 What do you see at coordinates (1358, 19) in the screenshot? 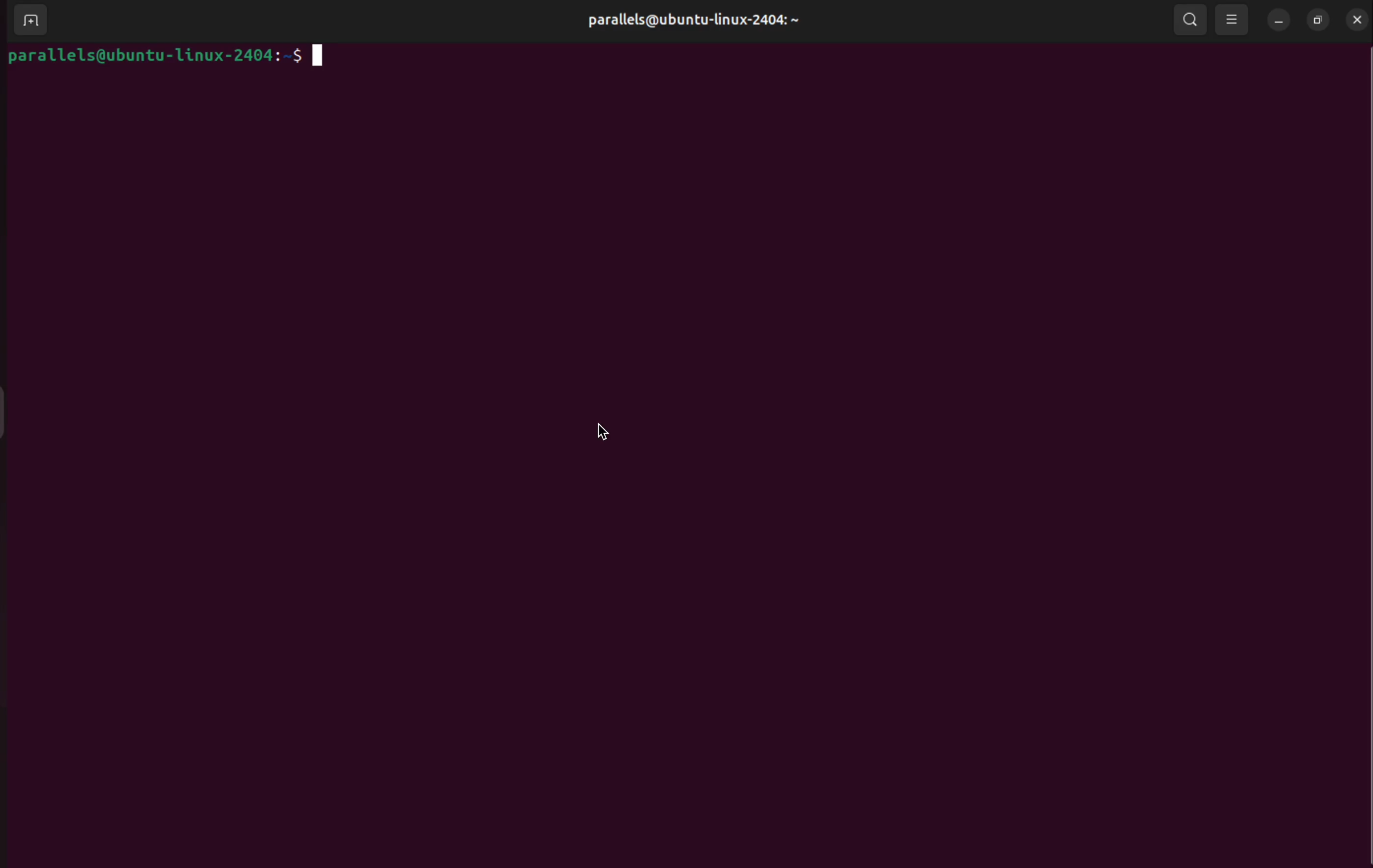
I see `close` at bounding box center [1358, 19].